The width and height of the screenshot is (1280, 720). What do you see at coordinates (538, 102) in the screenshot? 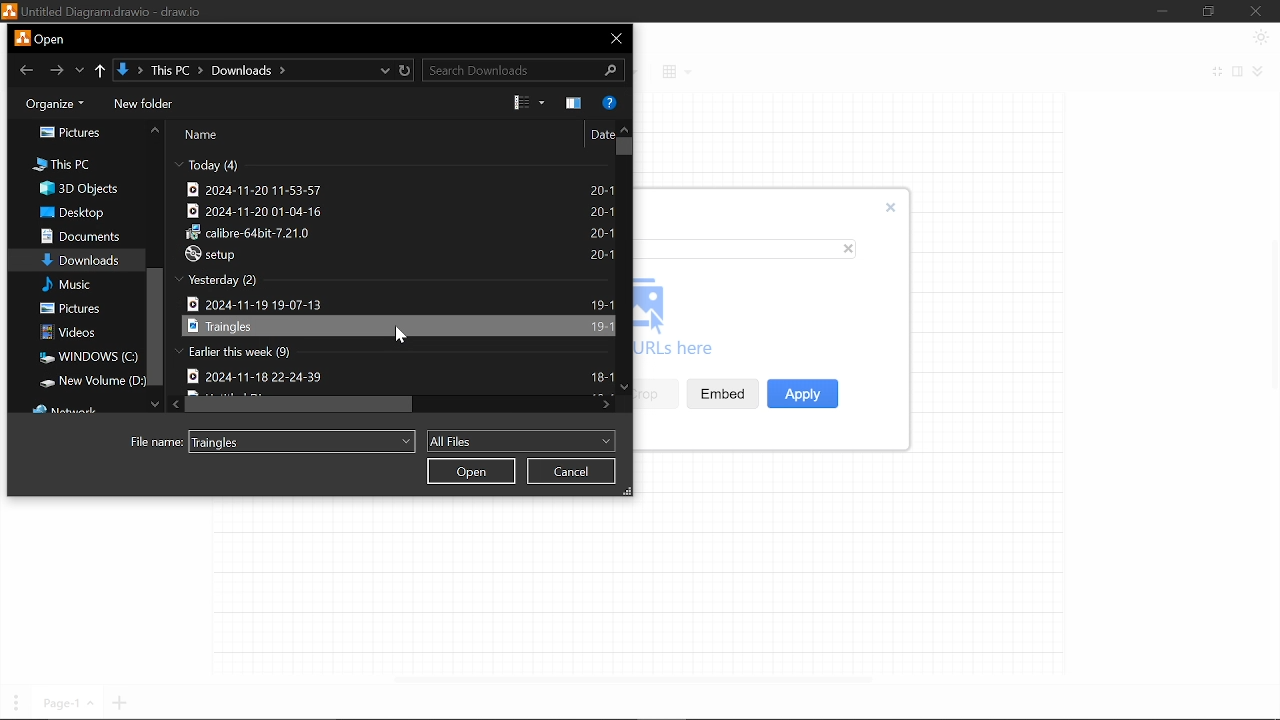
I see `View options` at bounding box center [538, 102].